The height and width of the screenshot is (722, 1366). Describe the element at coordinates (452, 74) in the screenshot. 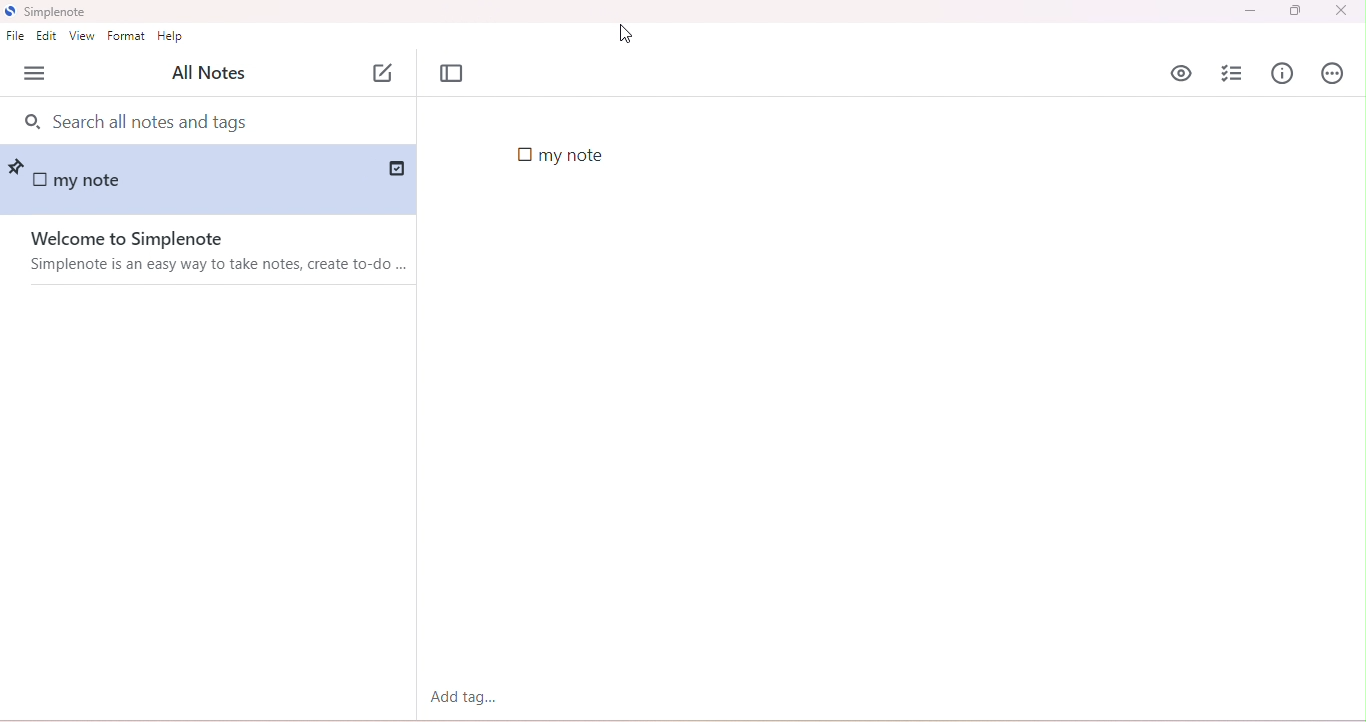

I see `toggle focus mode` at that location.